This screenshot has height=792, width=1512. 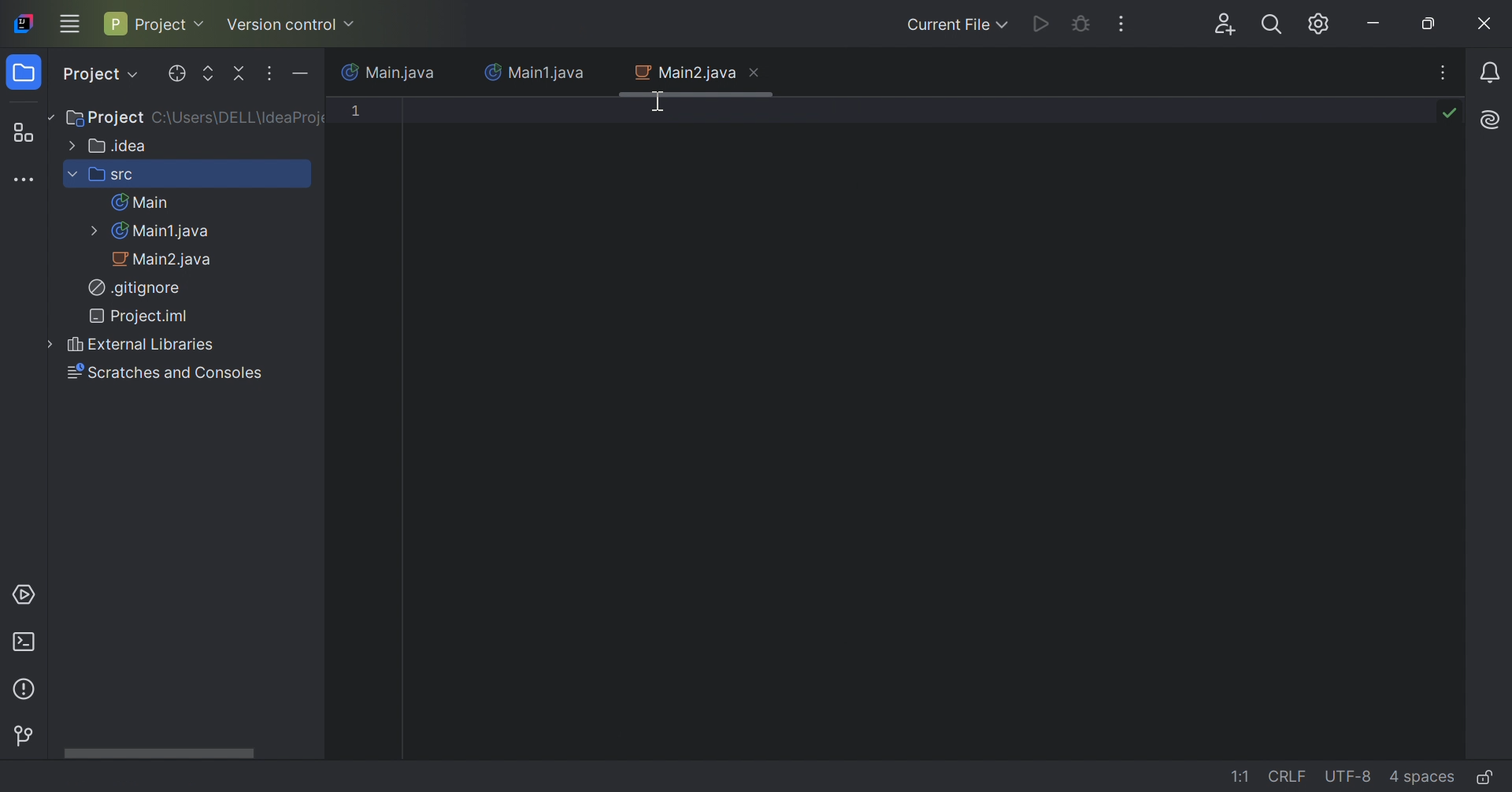 I want to click on Main2.java, so click(x=683, y=73).